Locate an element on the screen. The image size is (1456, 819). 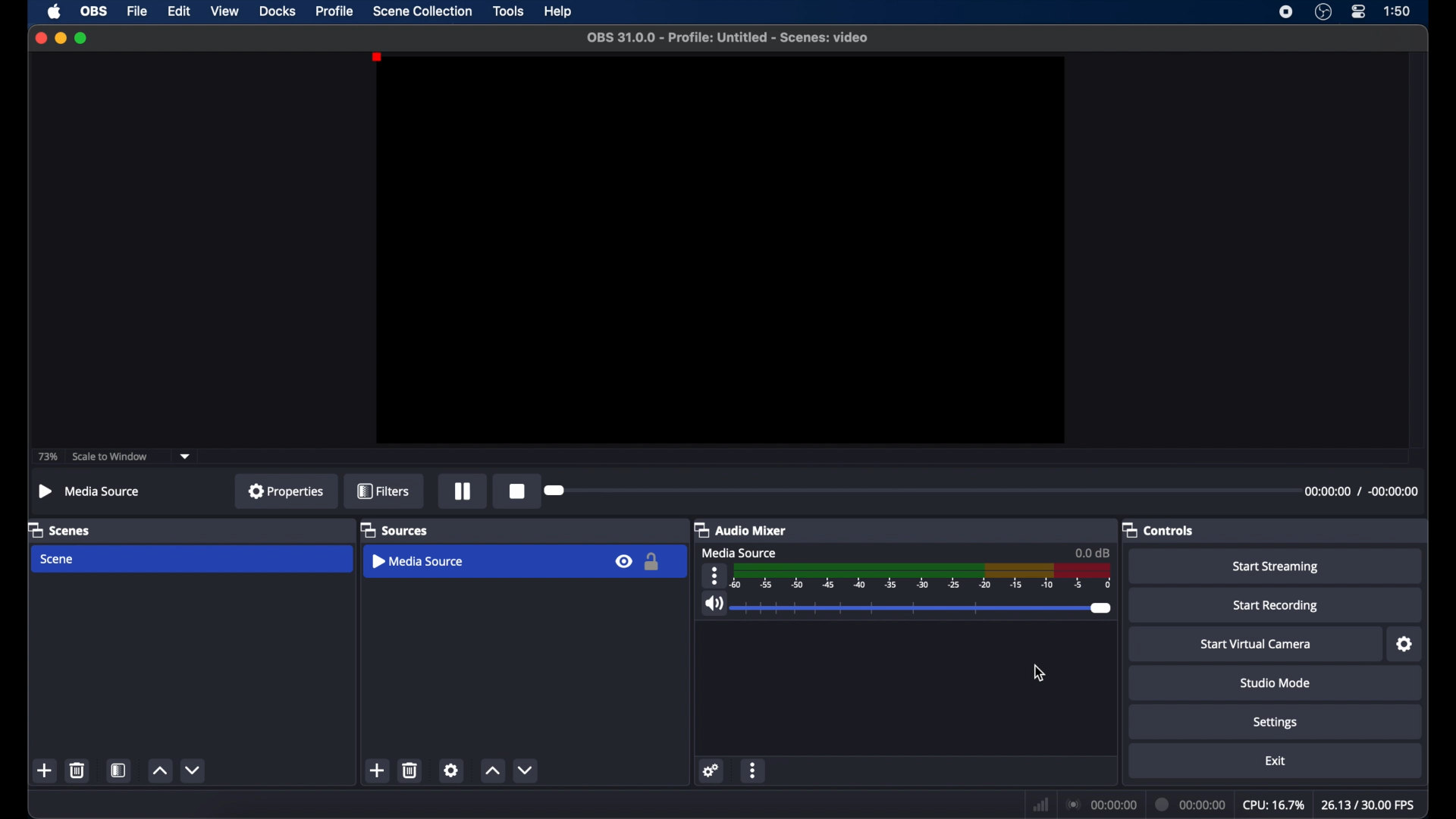
file name is located at coordinates (728, 38).